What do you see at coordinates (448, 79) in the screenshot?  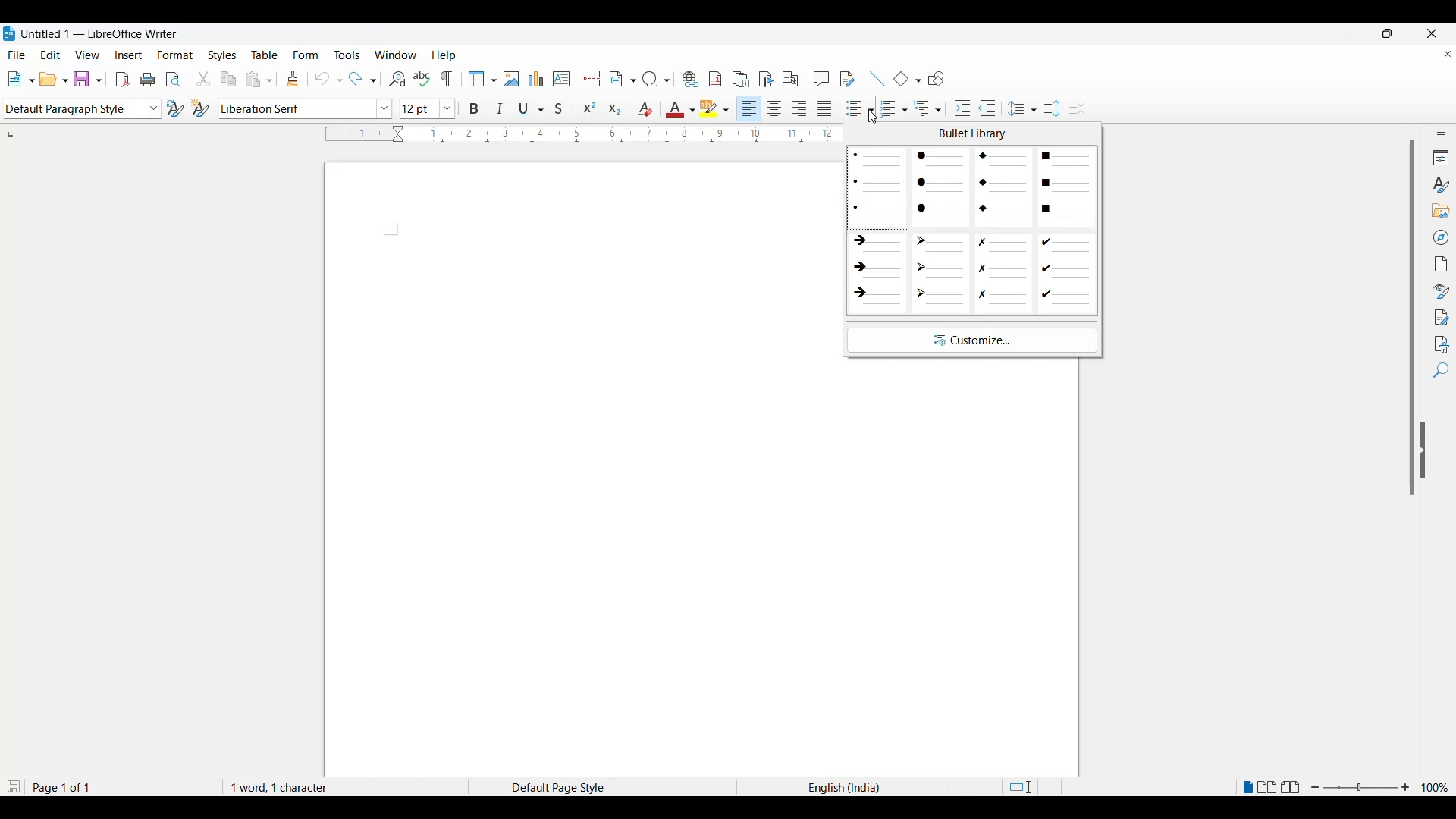 I see `toggle formatting` at bounding box center [448, 79].